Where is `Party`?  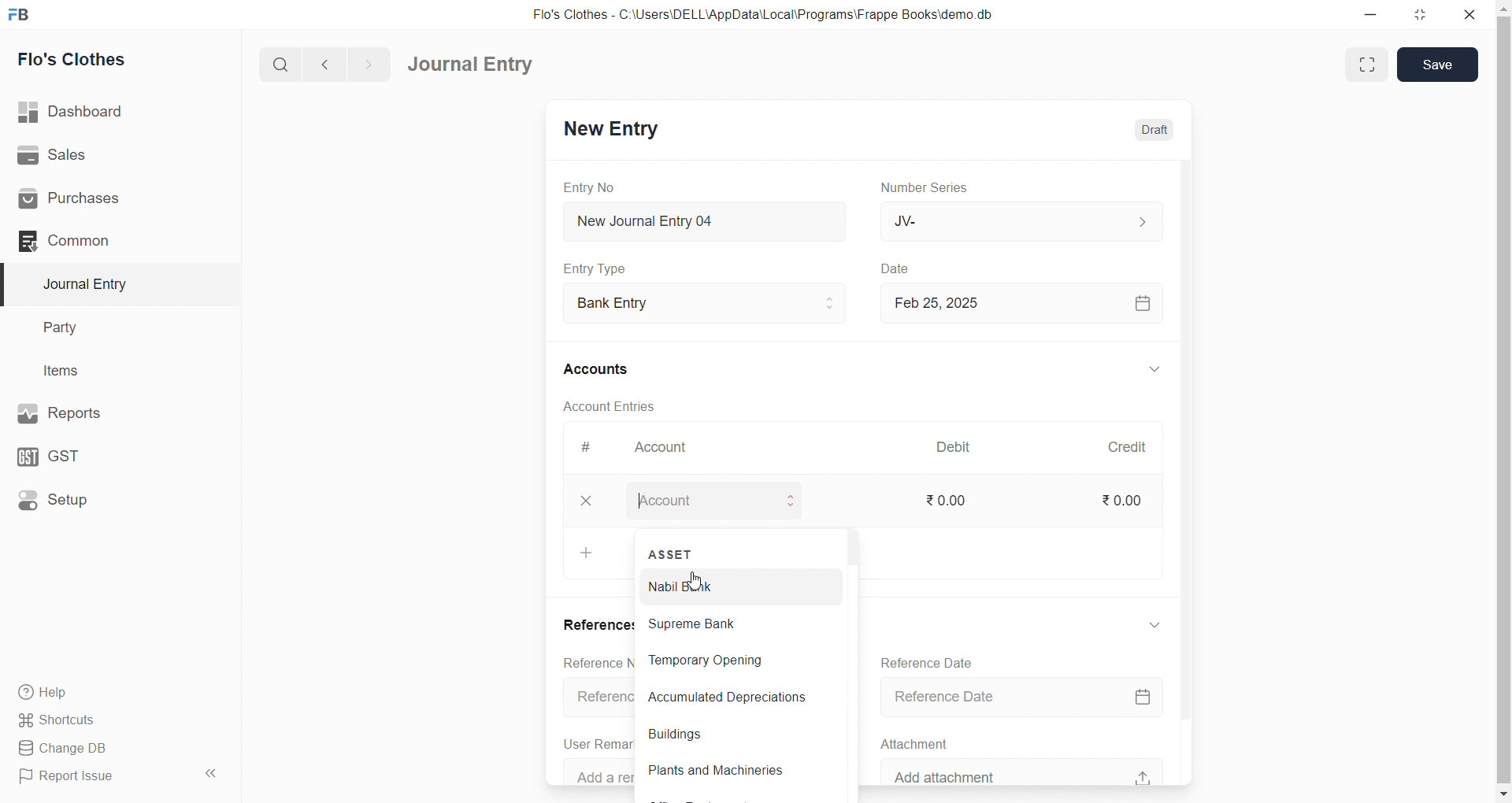
Party is located at coordinates (110, 328).